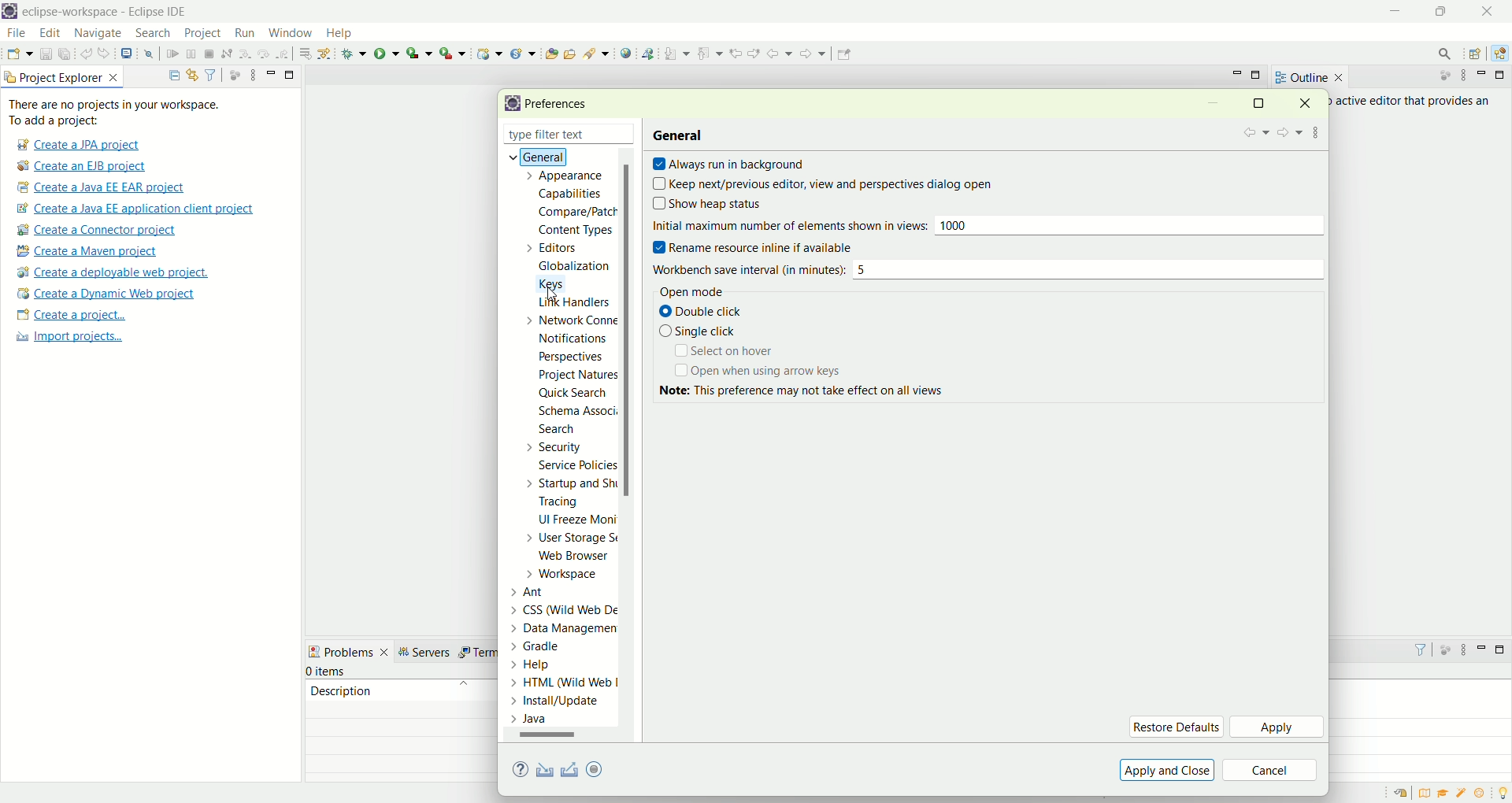 Image resolution: width=1512 pixels, height=803 pixels. Describe the element at coordinates (113, 273) in the screenshot. I see `create a deployable web project` at that location.